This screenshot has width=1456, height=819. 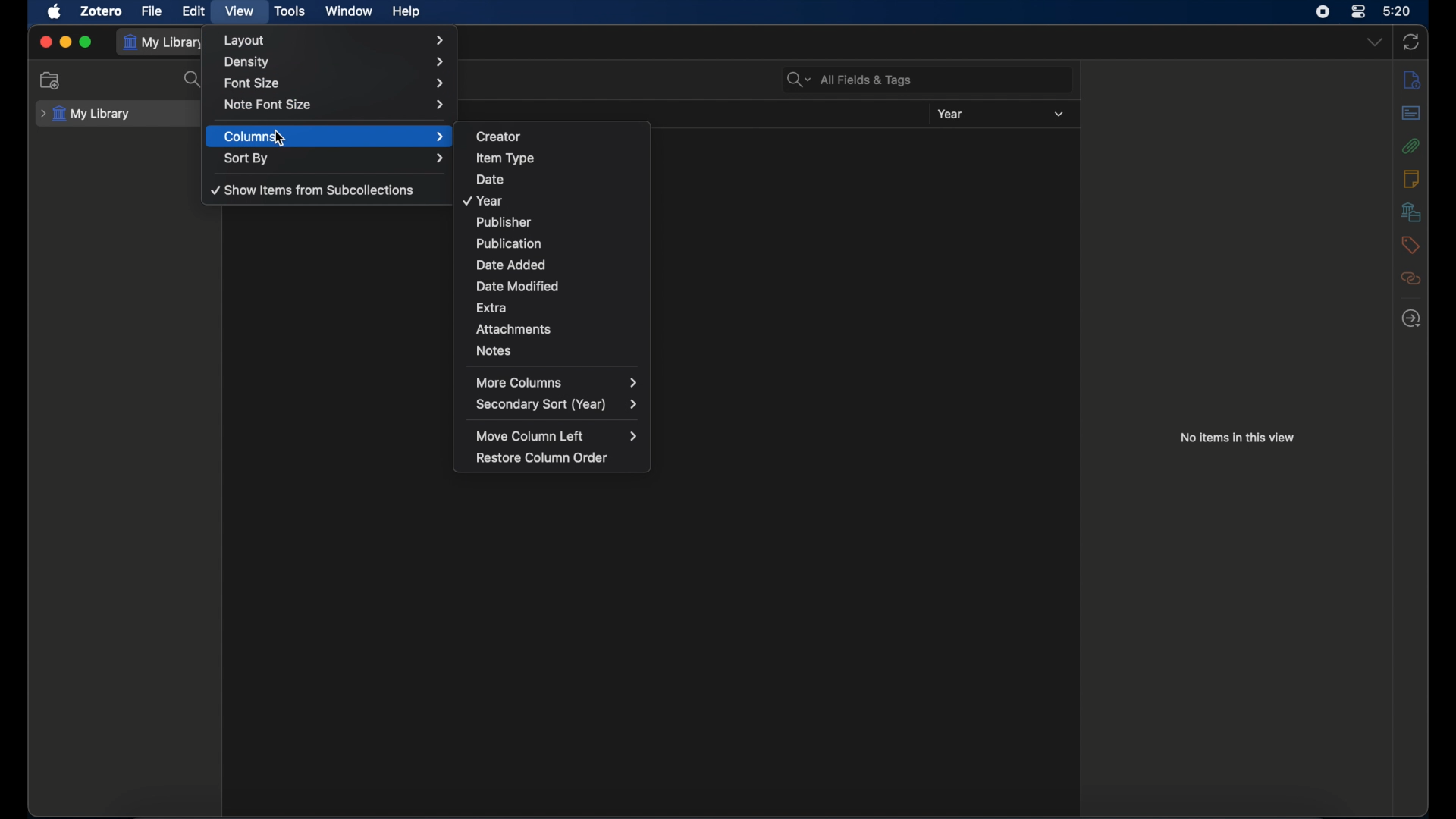 What do you see at coordinates (194, 80) in the screenshot?
I see `search` at bounding box center [194, 80].